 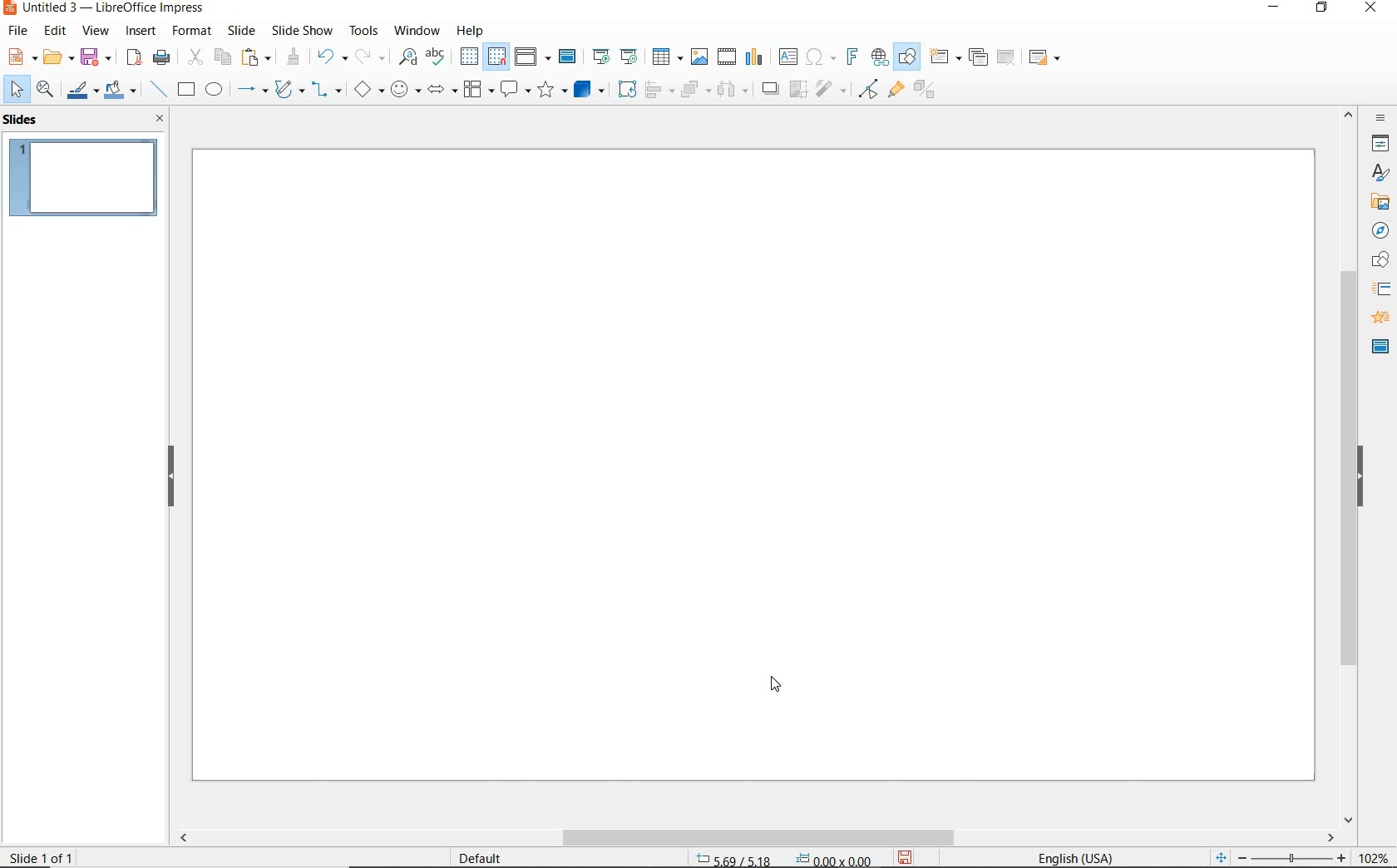 What do you see at coordinates (160, 118) in the screenshot?
I see `CLOSE` at bounding box center [160, 118].